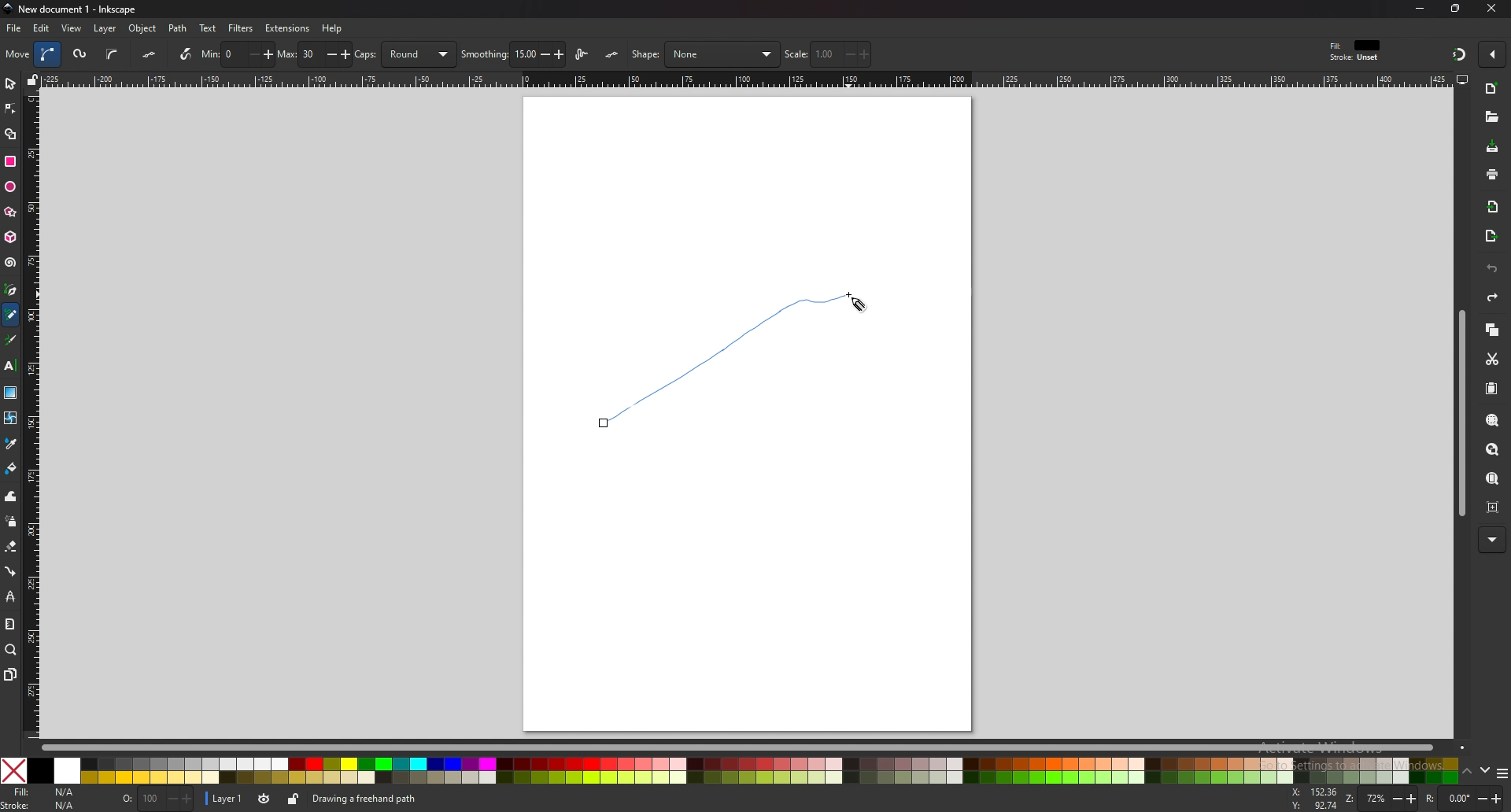 This screenshot has width=1511, height=812. I want to click on node, so click(12, 109).